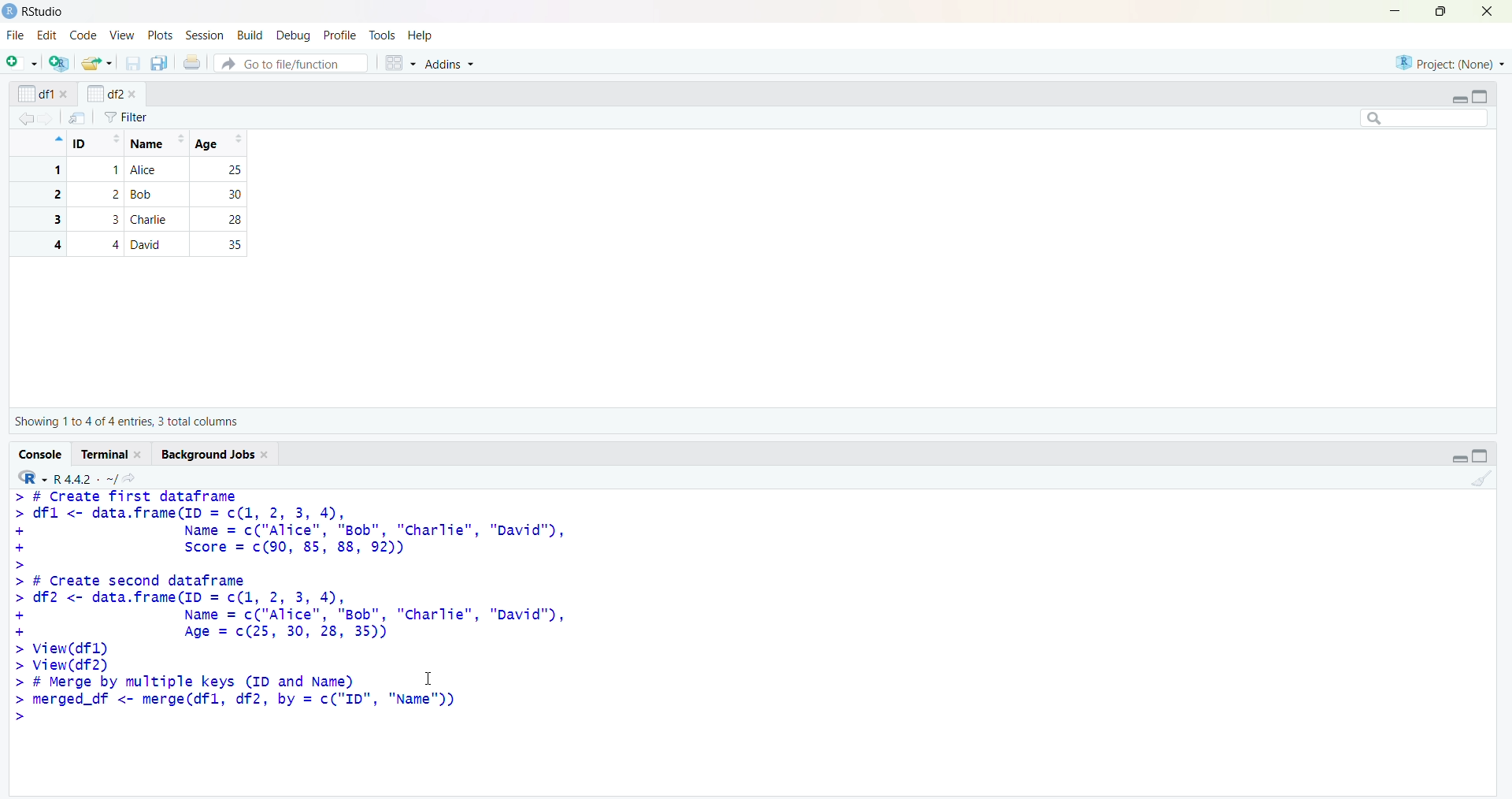  I want to click on maximize, so click(1443, 11).